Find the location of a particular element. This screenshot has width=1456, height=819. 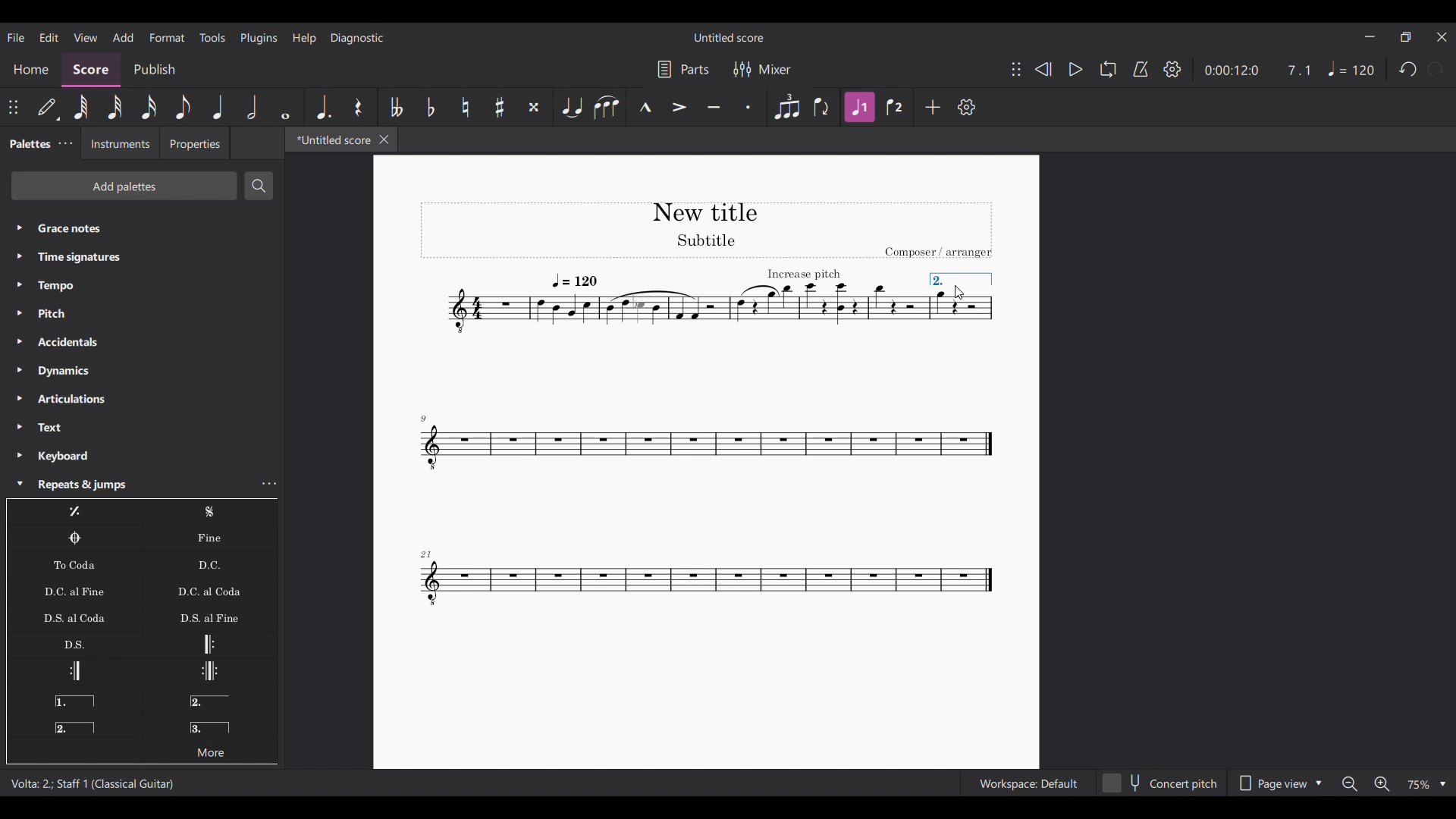

Toggle flat is located at coordinates (430, 107).